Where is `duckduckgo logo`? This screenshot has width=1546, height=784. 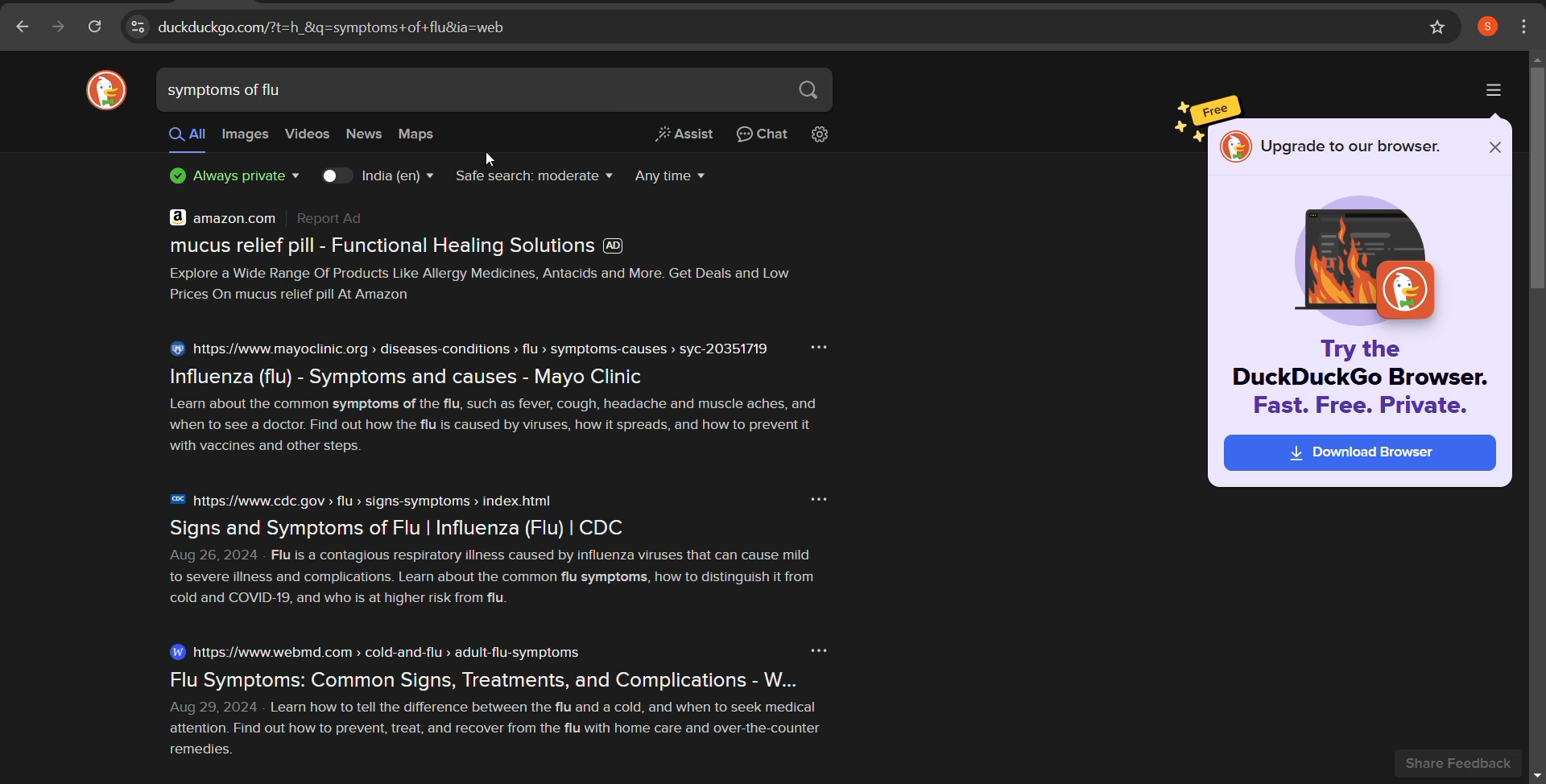
duckduckgo logo is located at coordinates (105, 93).